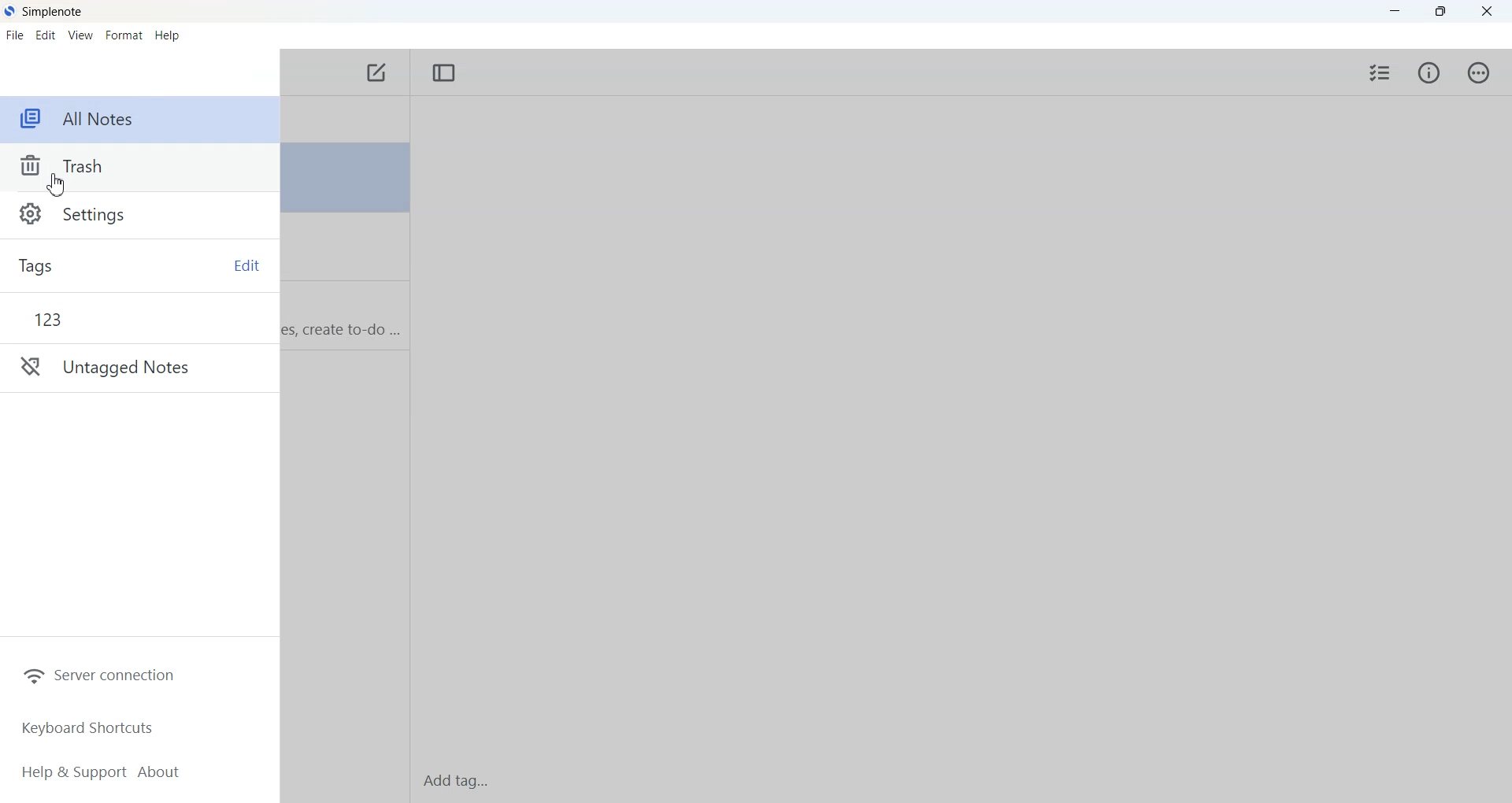 Image resolution: width=1512 pixels, height=803 pixels. I want to click on Help & Support About, so click(102, 772).